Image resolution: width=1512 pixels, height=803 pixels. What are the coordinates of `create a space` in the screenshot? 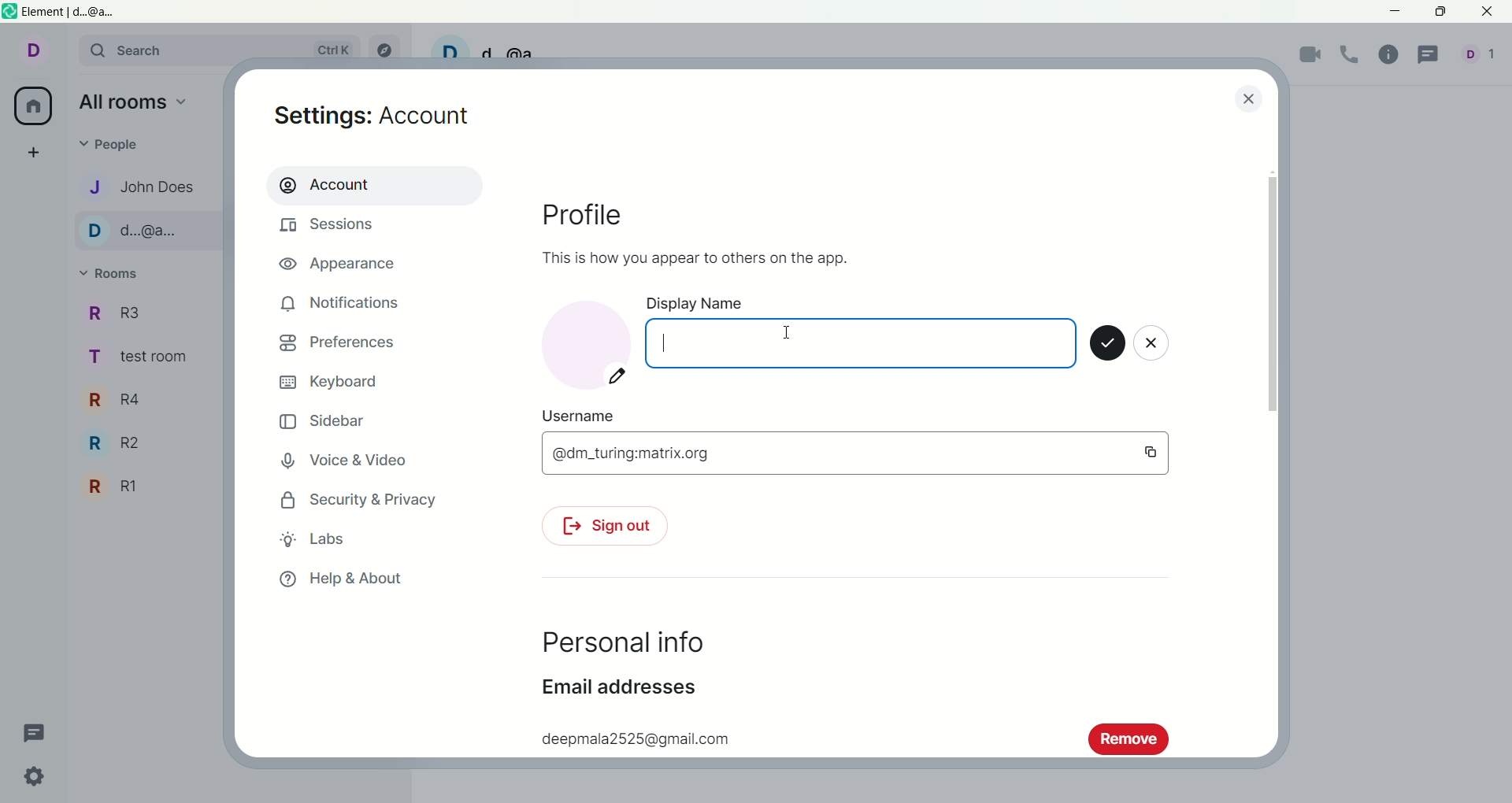 It's located at (39, 154).